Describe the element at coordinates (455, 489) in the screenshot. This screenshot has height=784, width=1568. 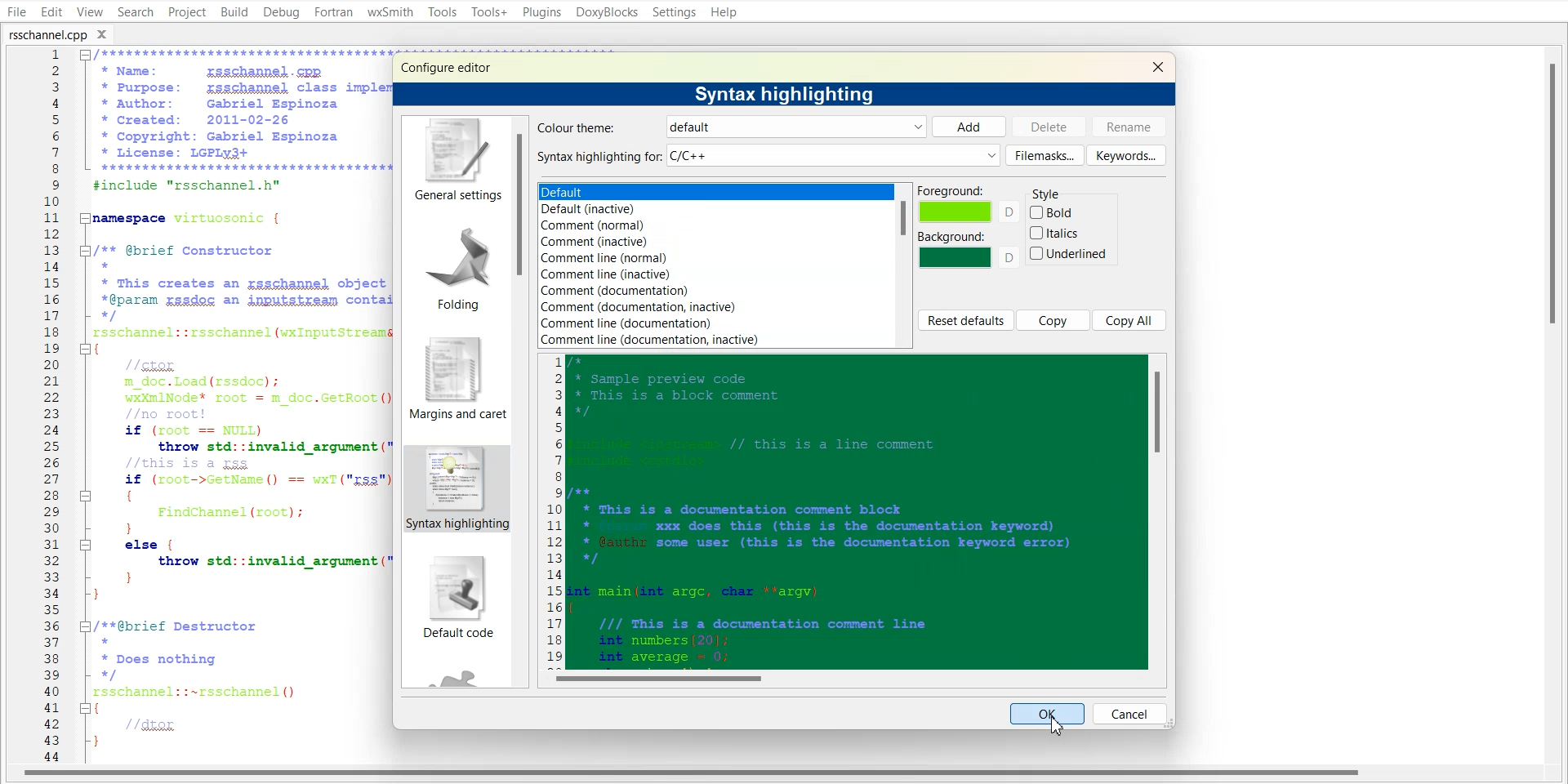
I see `Syntax highlight` at that location.